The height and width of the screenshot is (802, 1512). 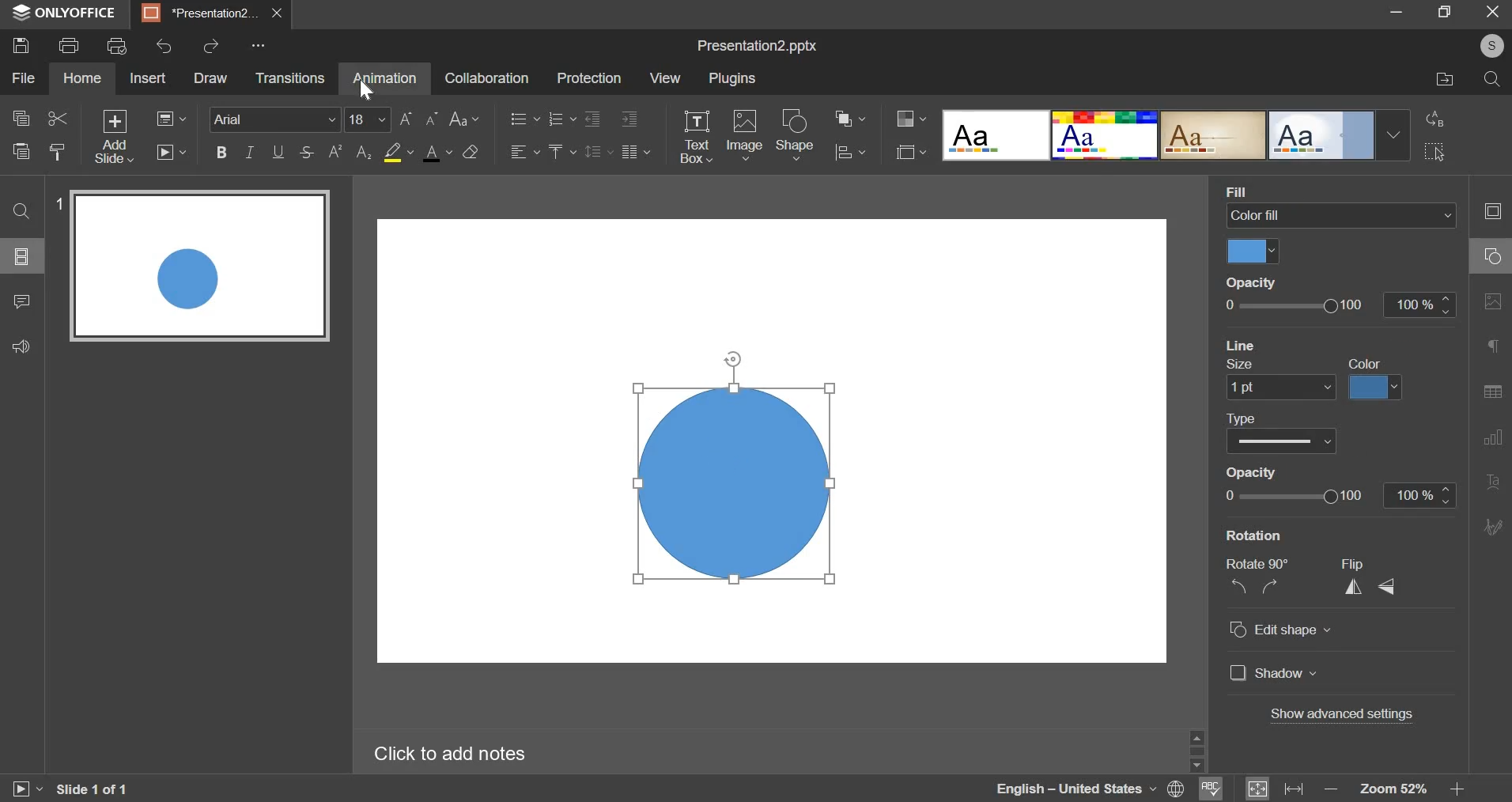 What do you see at coordinates (732, 78) in the screenshot?
I see `plugins` at bounding box center [732, 78].